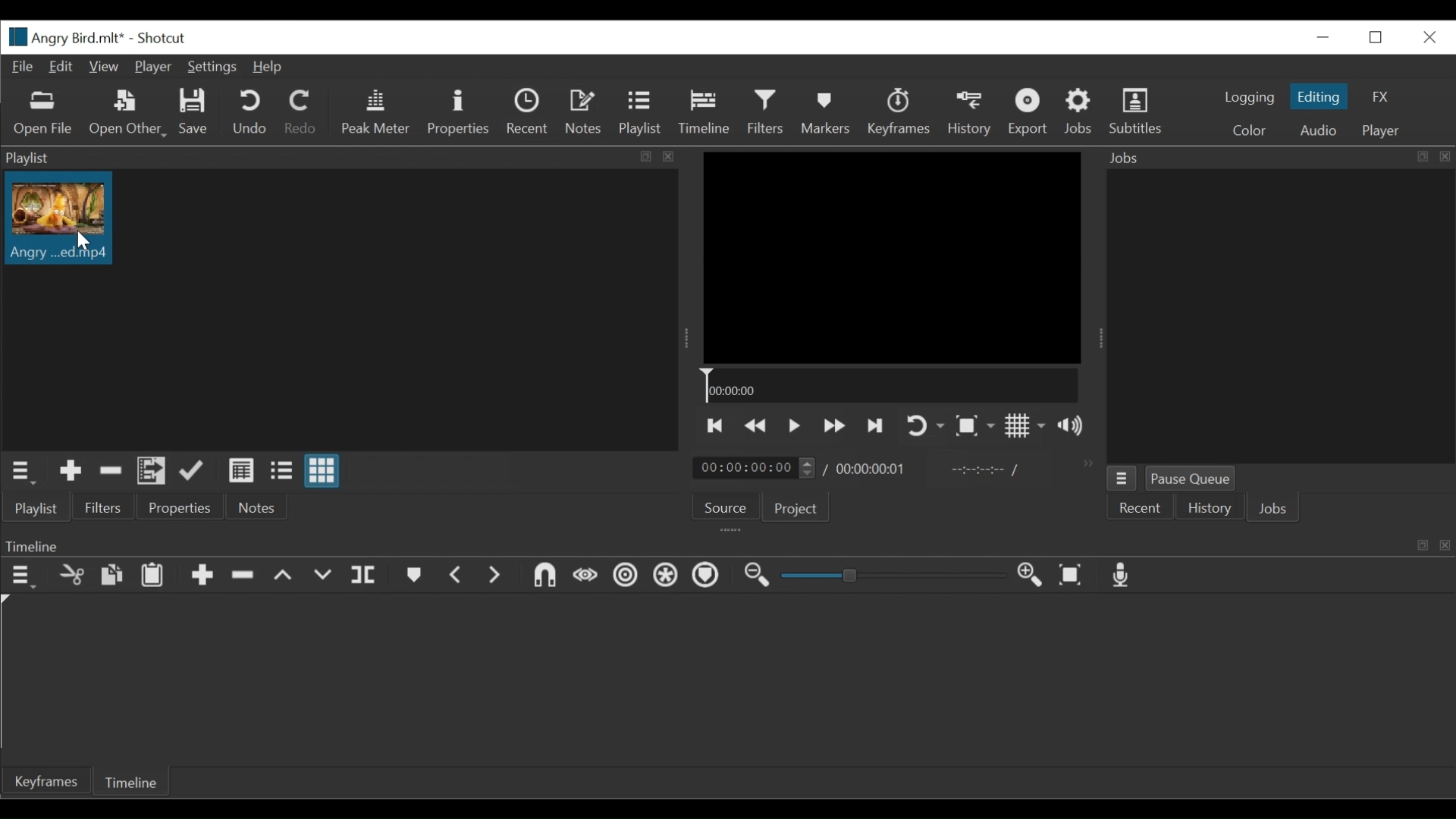 Image resolution: width=1456 pixels, height=819 pixels. I want to click on Project, so click(795, 508).